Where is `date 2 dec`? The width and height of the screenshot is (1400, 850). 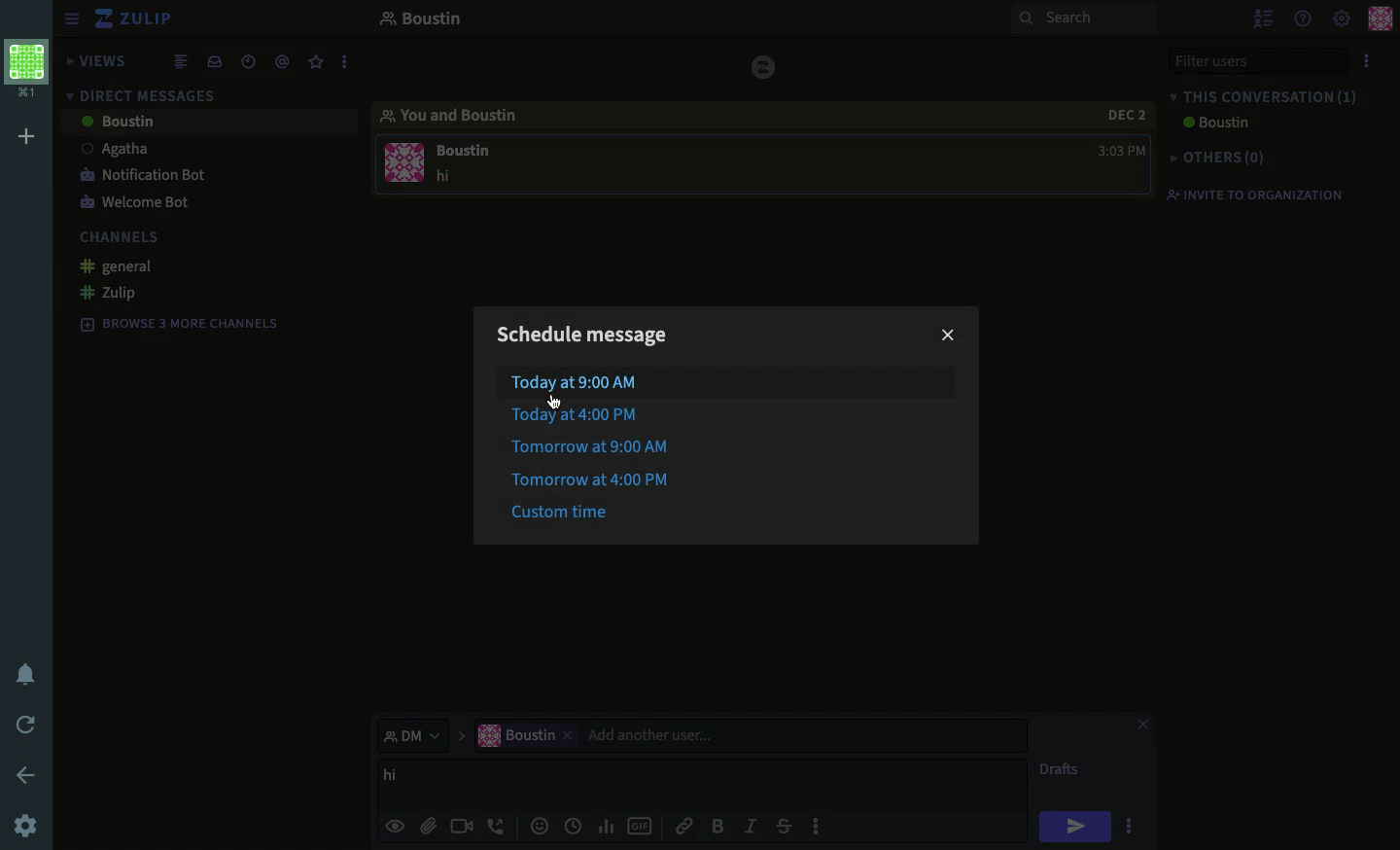 date 2 dec is located at coordinates (1119, 116).